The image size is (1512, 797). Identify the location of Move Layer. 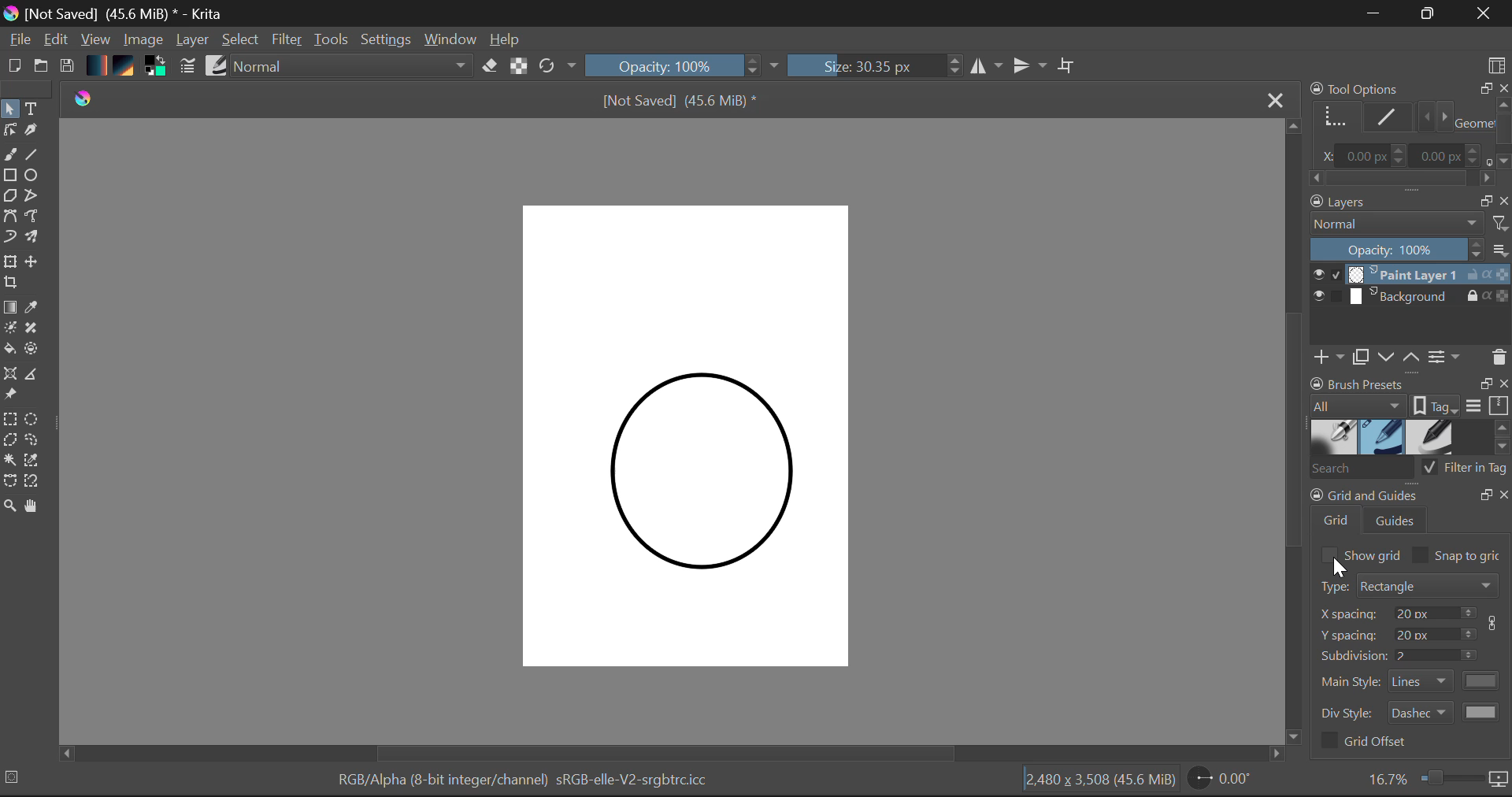
(34, 262).